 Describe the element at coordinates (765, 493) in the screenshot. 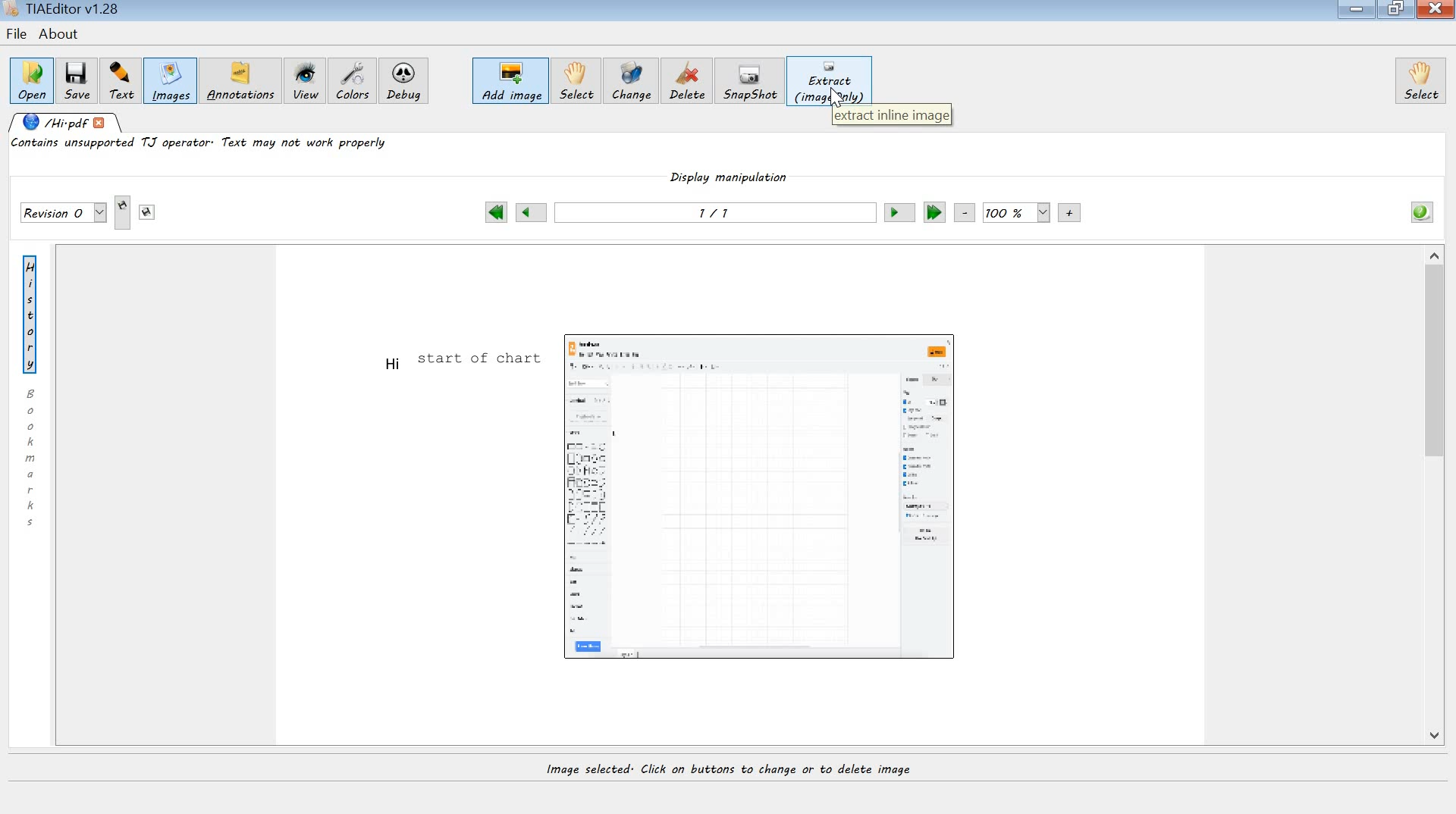

I see `image outline added` at that location.